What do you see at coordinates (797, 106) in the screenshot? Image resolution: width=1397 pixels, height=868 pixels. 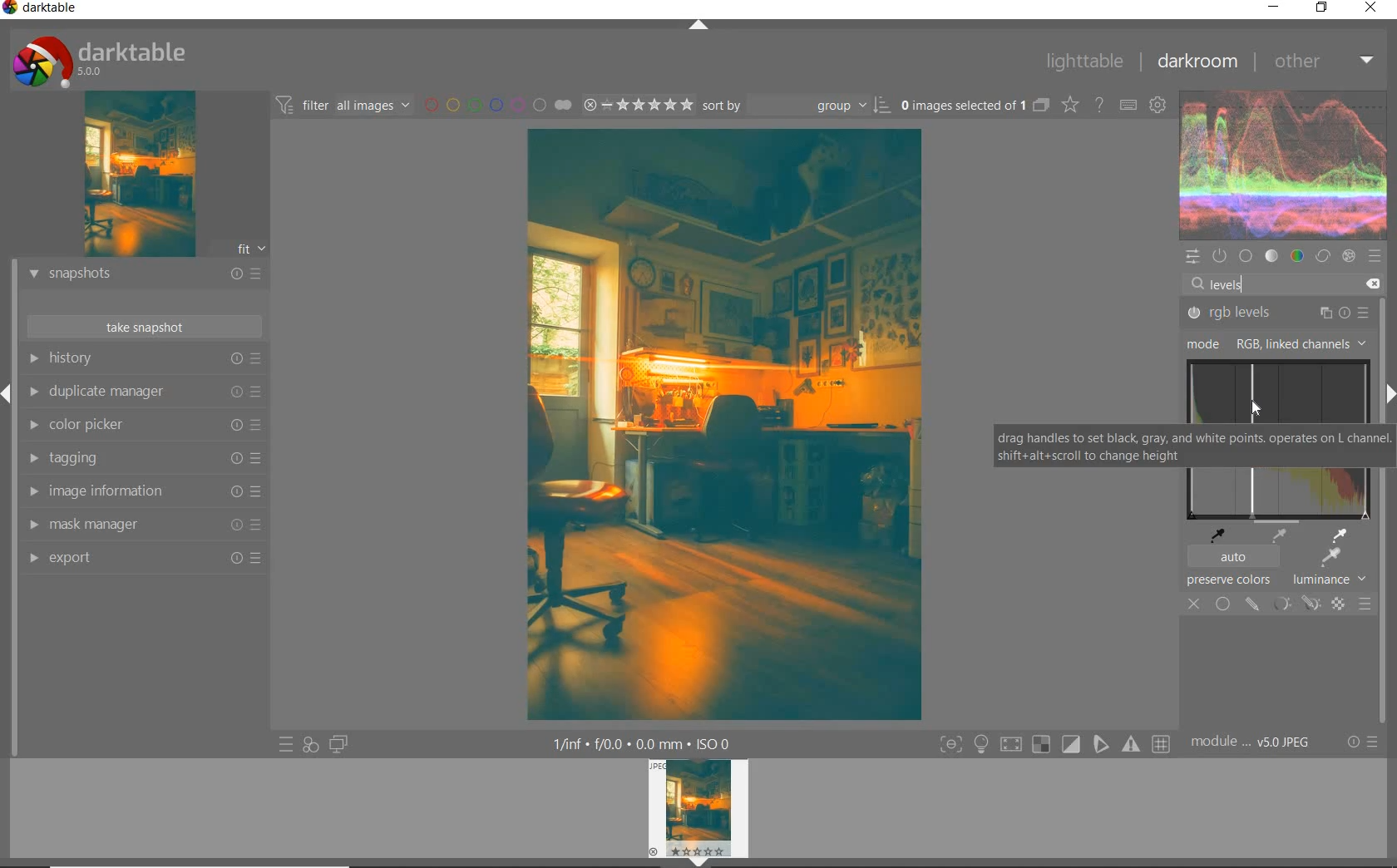 I see `sort` at bounding box center [797, 106].